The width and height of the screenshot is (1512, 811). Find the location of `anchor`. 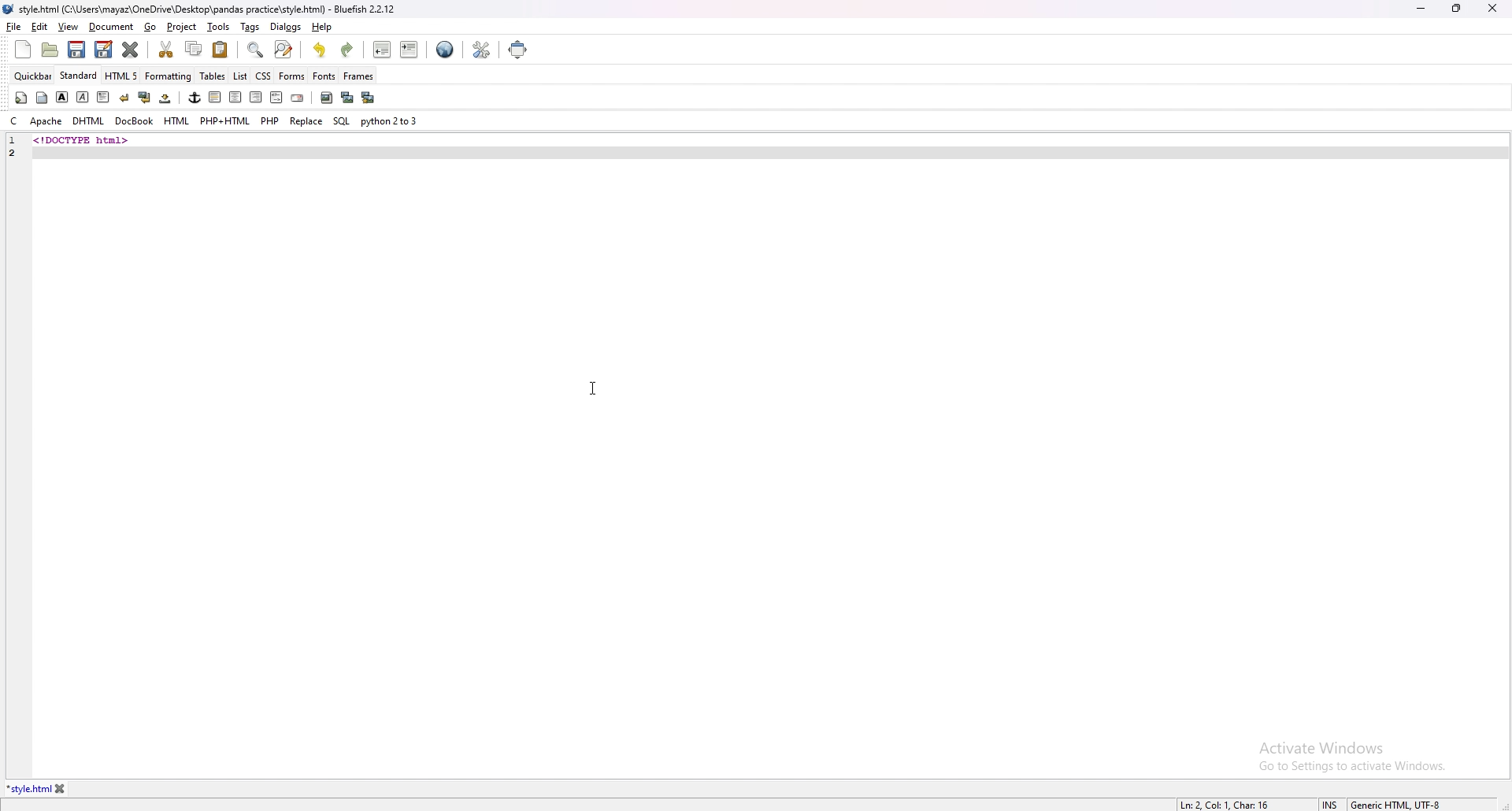

anchor is located at coordinates (195, 98).